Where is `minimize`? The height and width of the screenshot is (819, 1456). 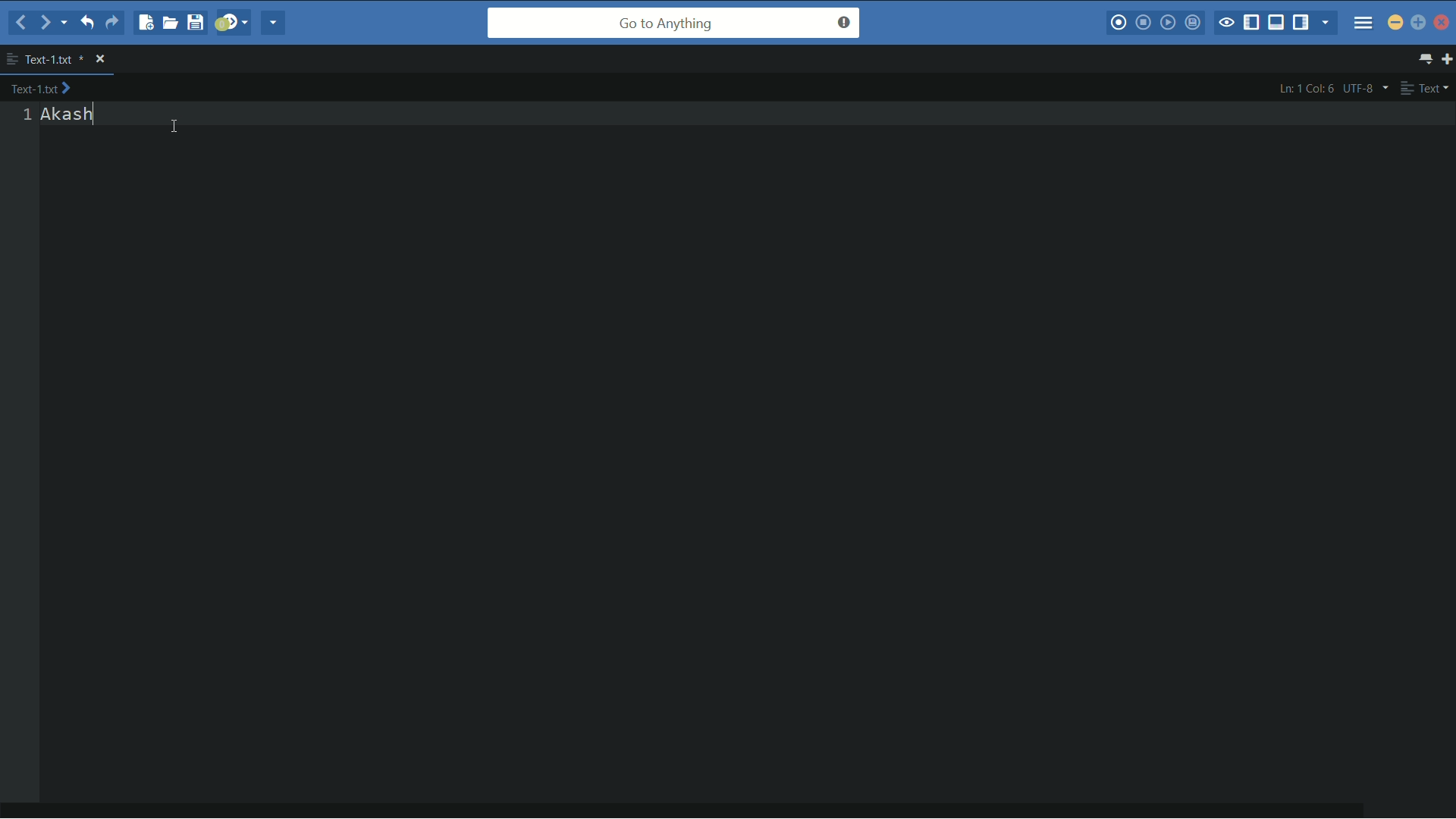
minimize is located at coordinates (1395, 24).